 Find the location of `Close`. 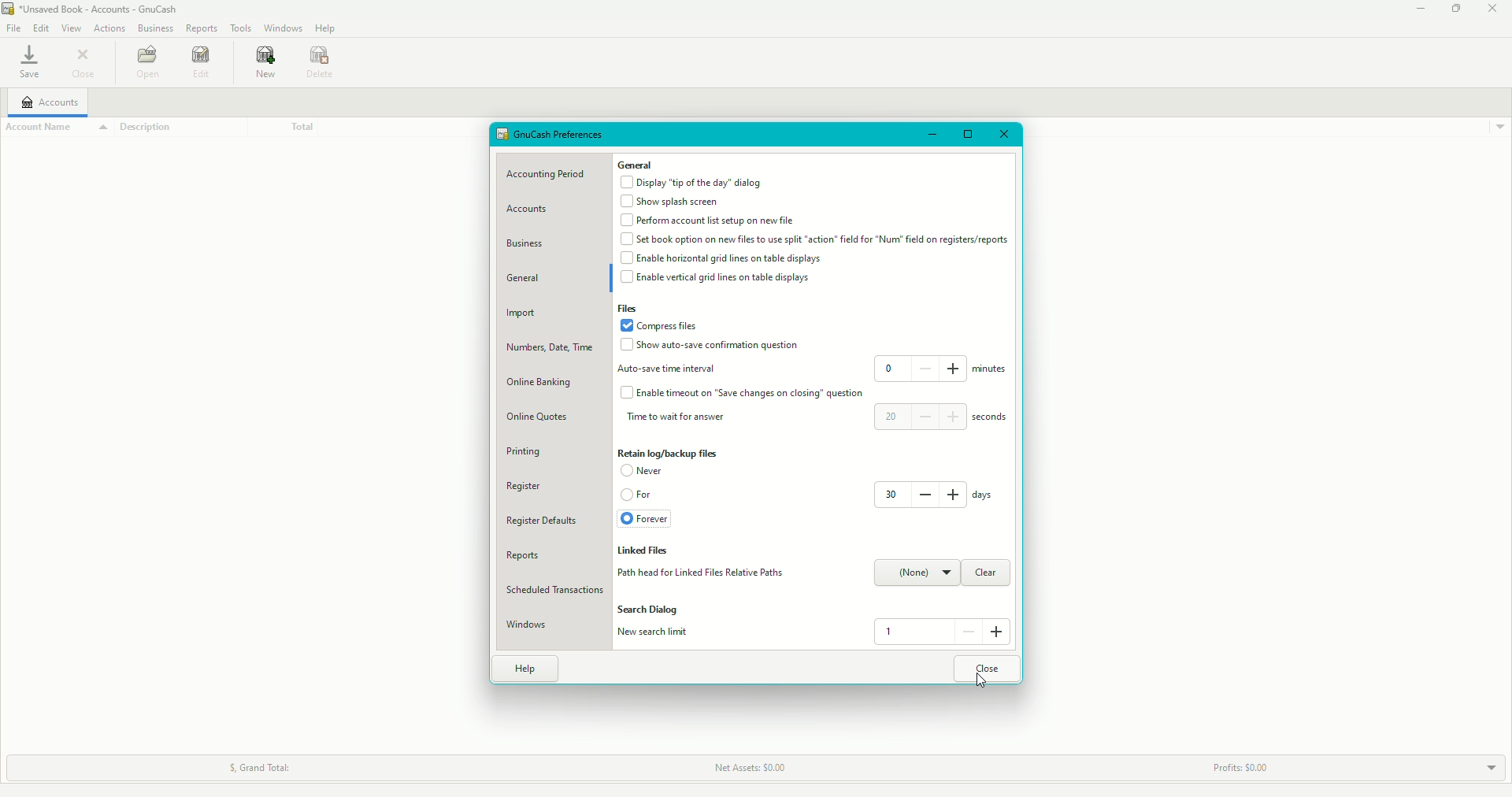

Close is located at coordinates (1493, 9).